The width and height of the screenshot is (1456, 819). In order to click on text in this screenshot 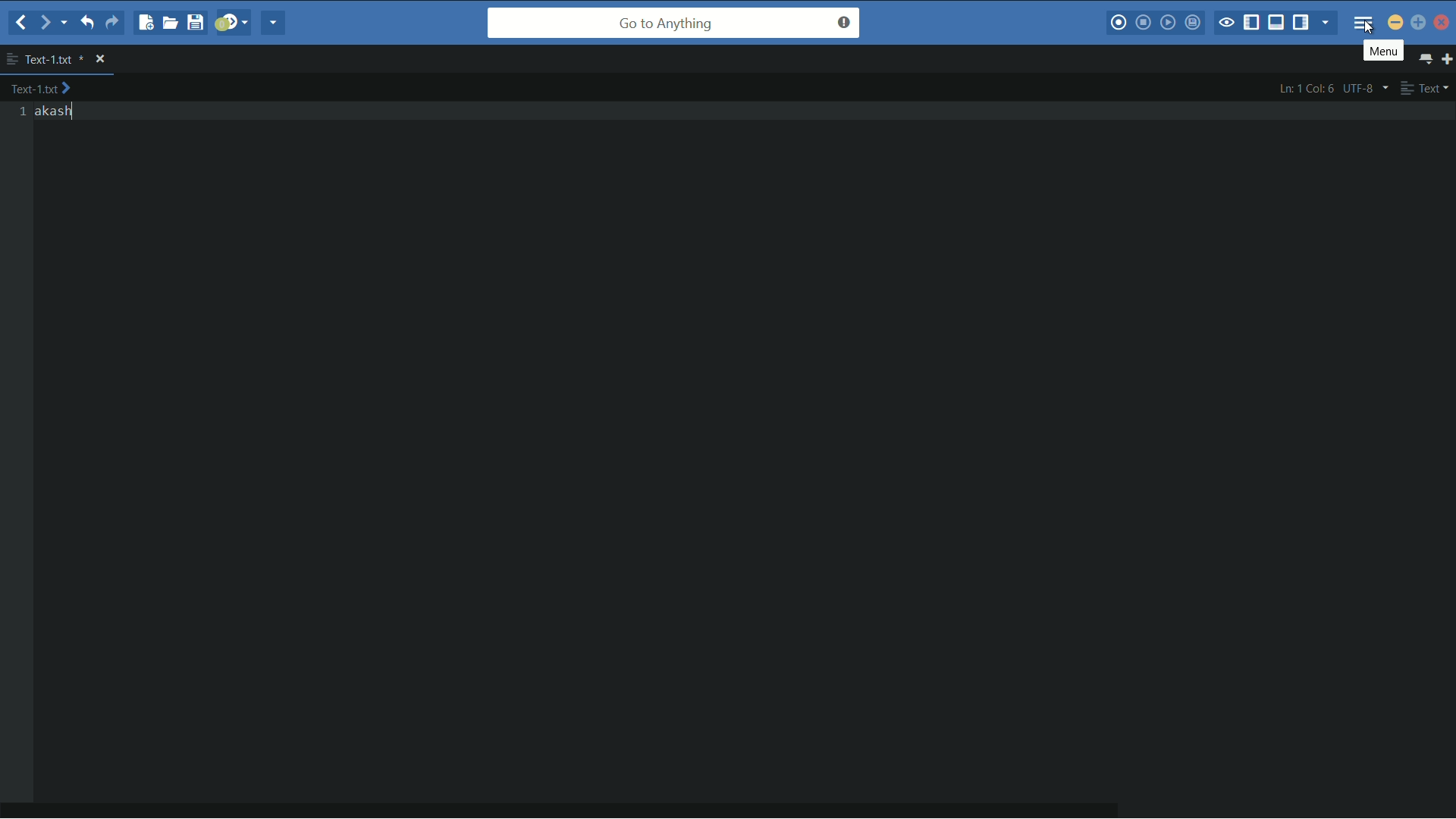, I will do `click(58, 89)`.